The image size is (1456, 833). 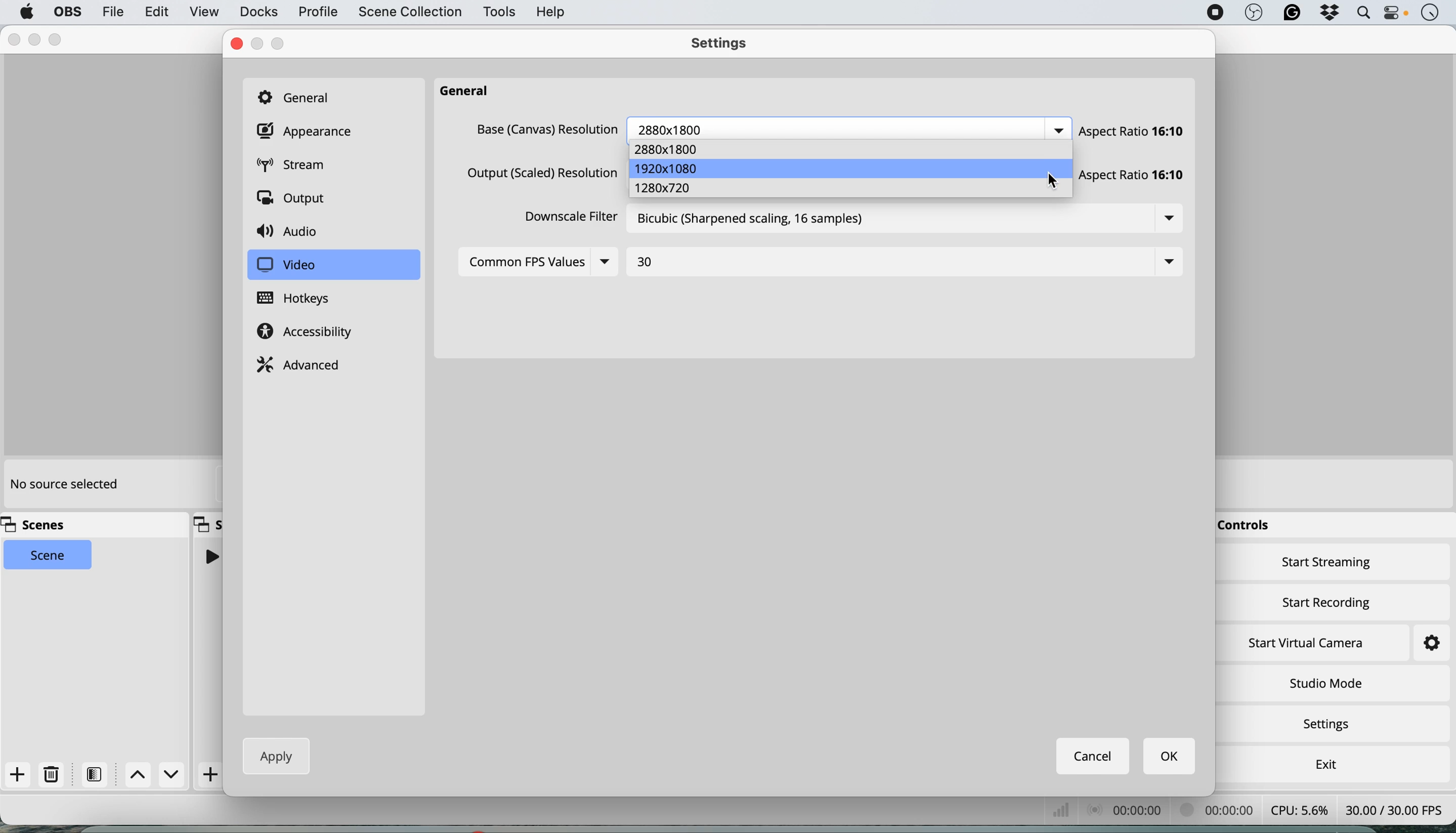 What do you see at coordinates (258, 43) in the screenshot?
I see `Maximize` at bounding box center [258, 43].